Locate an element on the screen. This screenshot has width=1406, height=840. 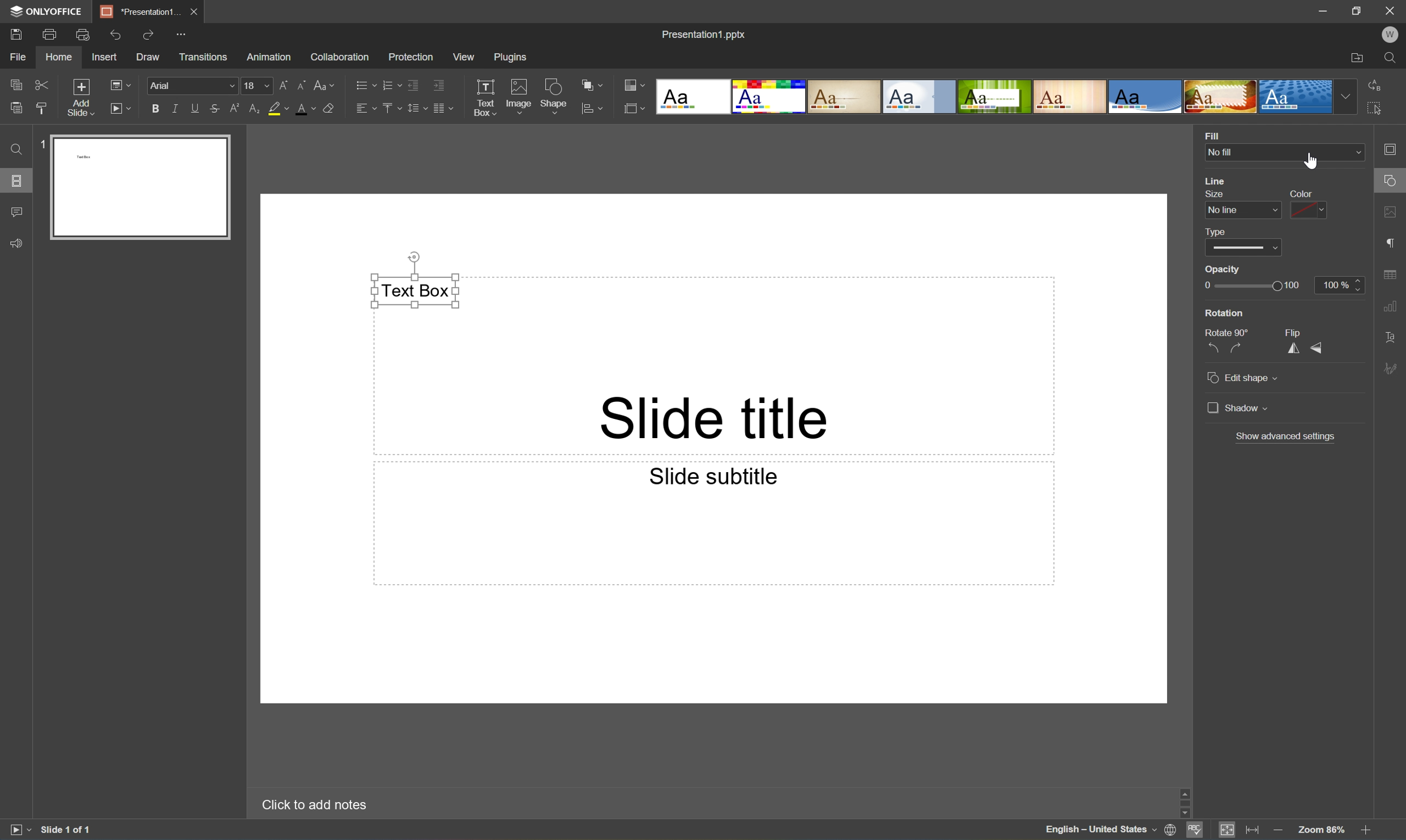
Click to add notes is located at coordinates (313, 807).